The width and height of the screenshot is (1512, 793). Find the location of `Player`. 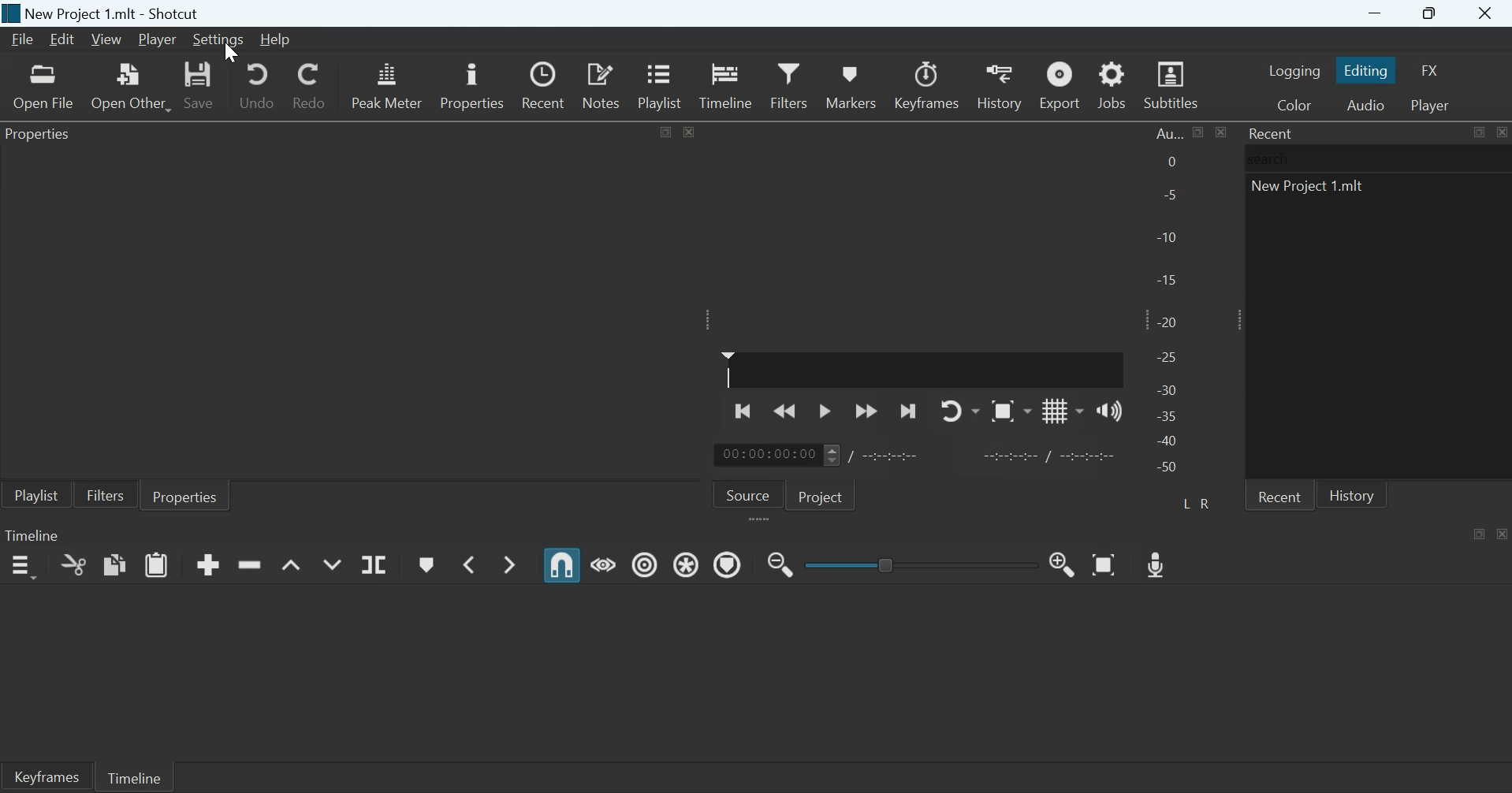

Player is located at coordinates (158, 40).